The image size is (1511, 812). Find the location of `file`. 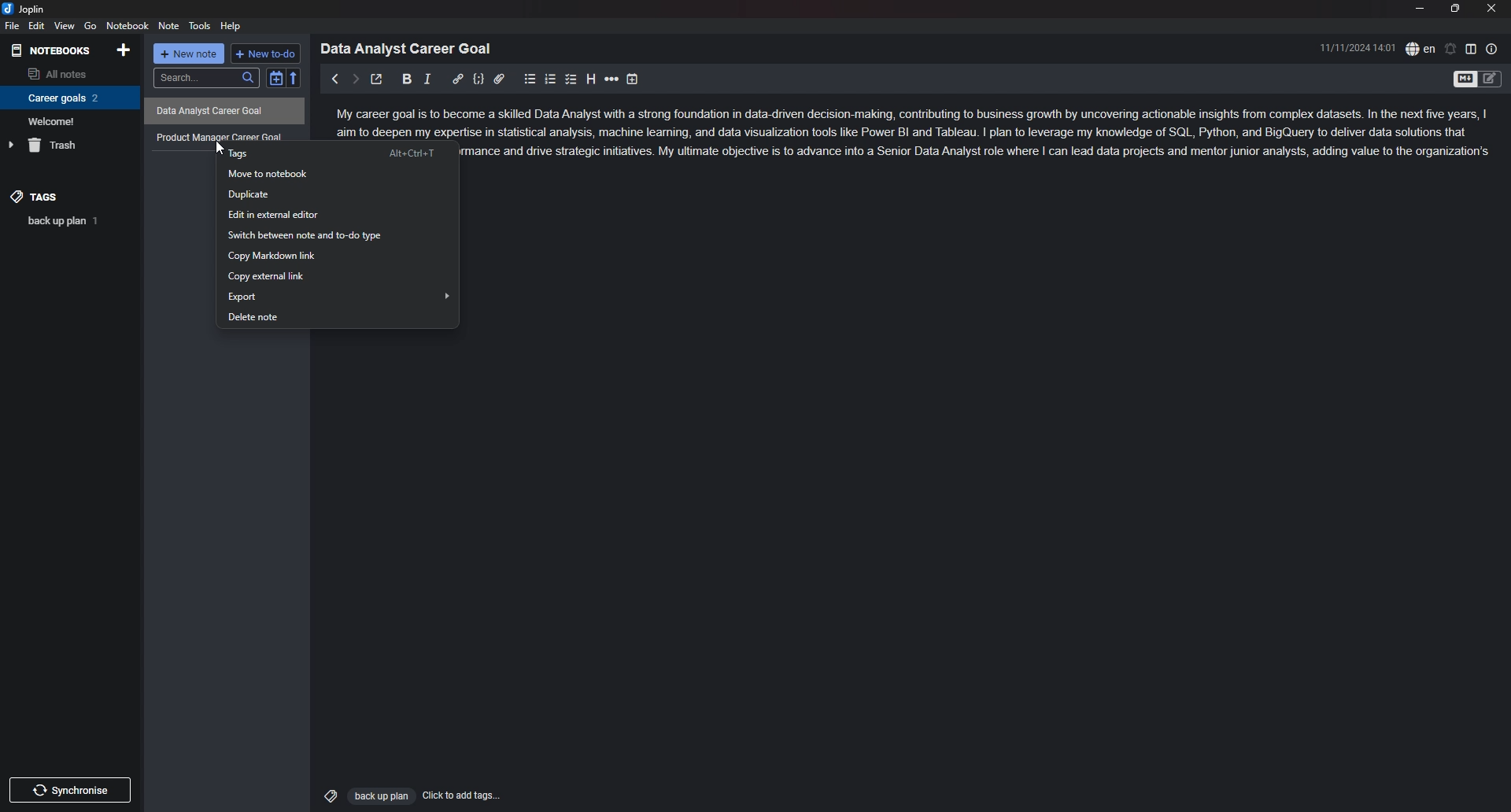

file is located at coordinates (13, 25).